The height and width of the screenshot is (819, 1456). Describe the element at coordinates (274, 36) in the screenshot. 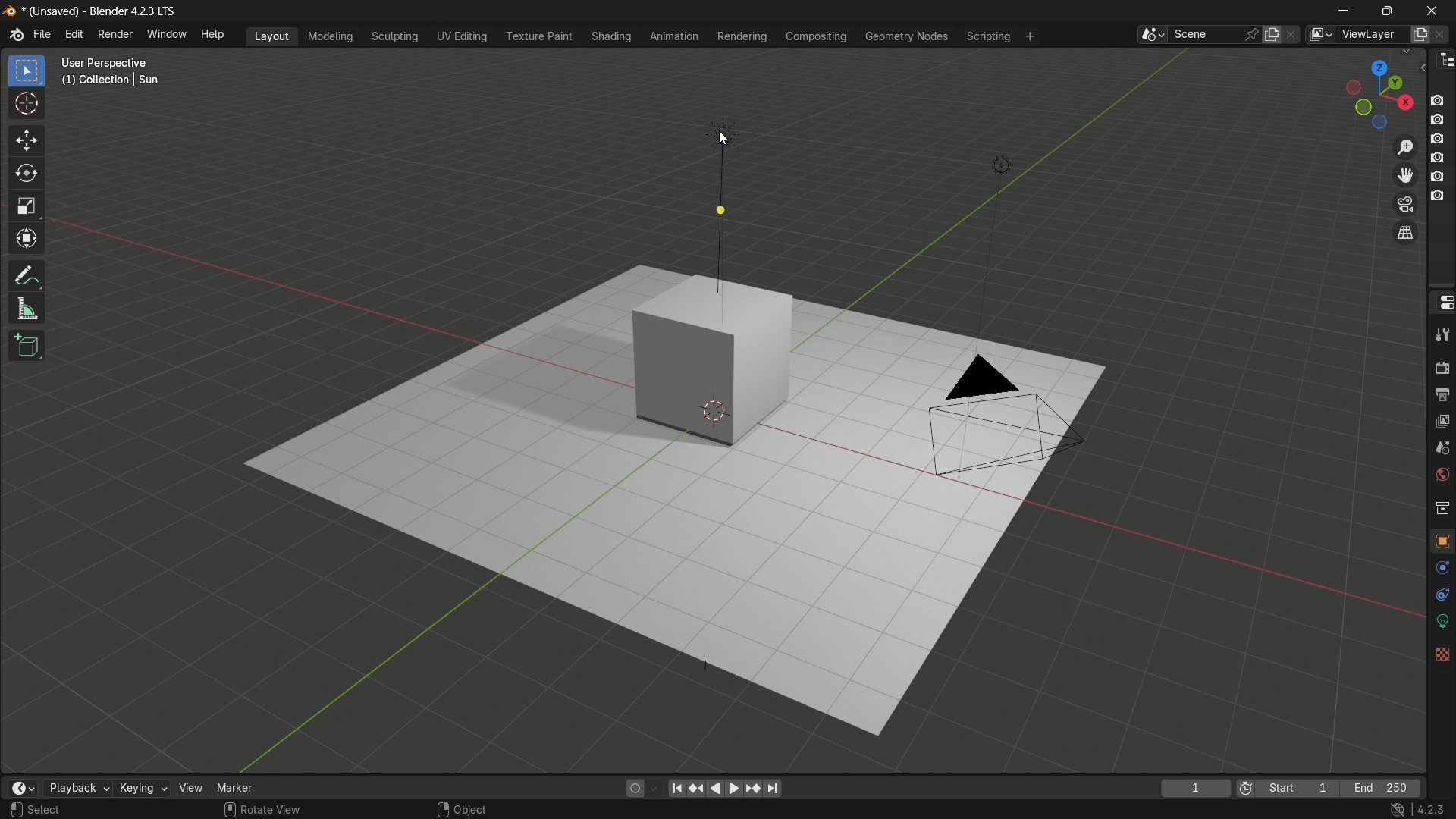

I see `layout` at that location.